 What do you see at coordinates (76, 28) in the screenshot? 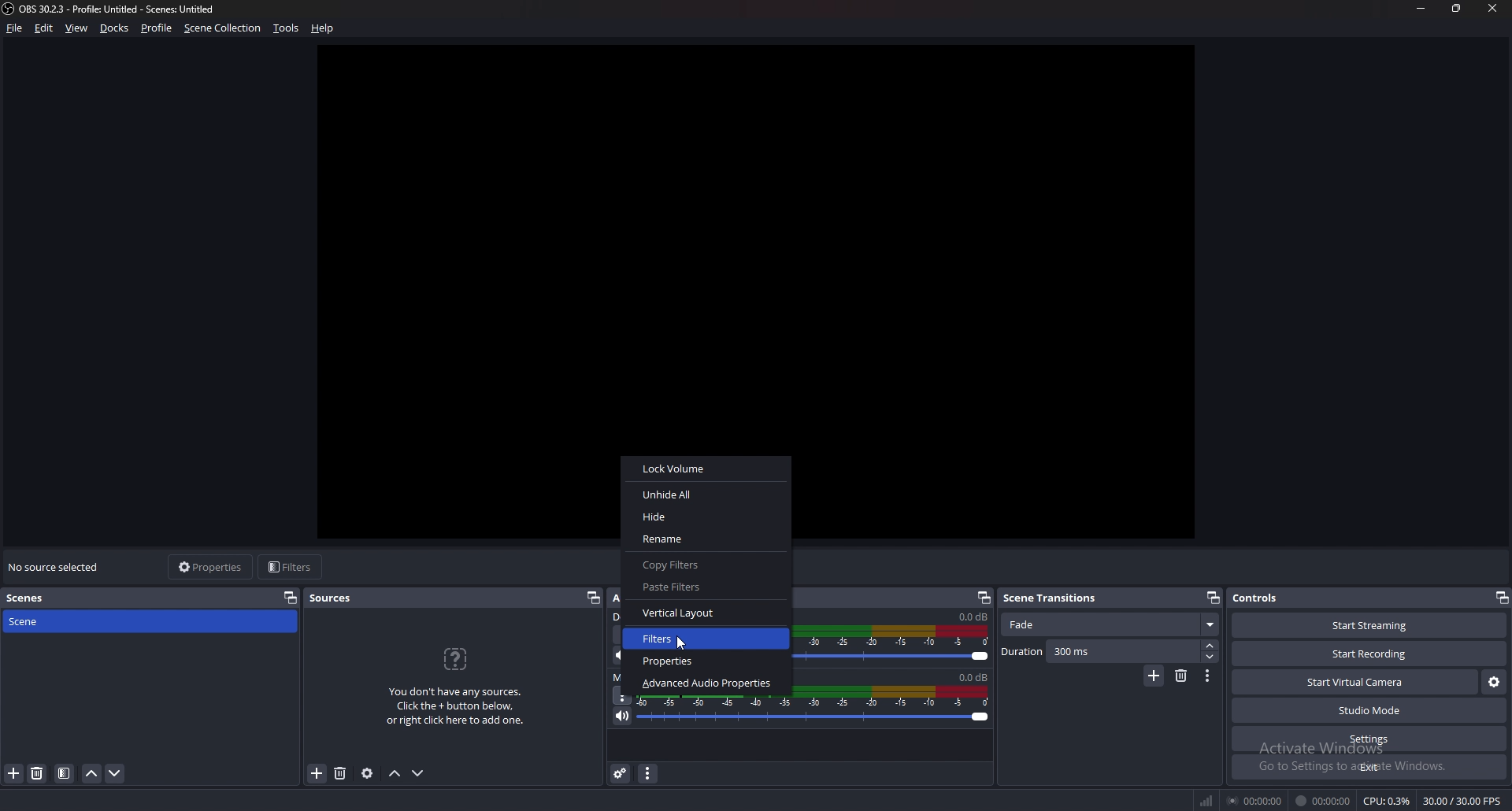
I see `view` at bounding box center [76, 28].